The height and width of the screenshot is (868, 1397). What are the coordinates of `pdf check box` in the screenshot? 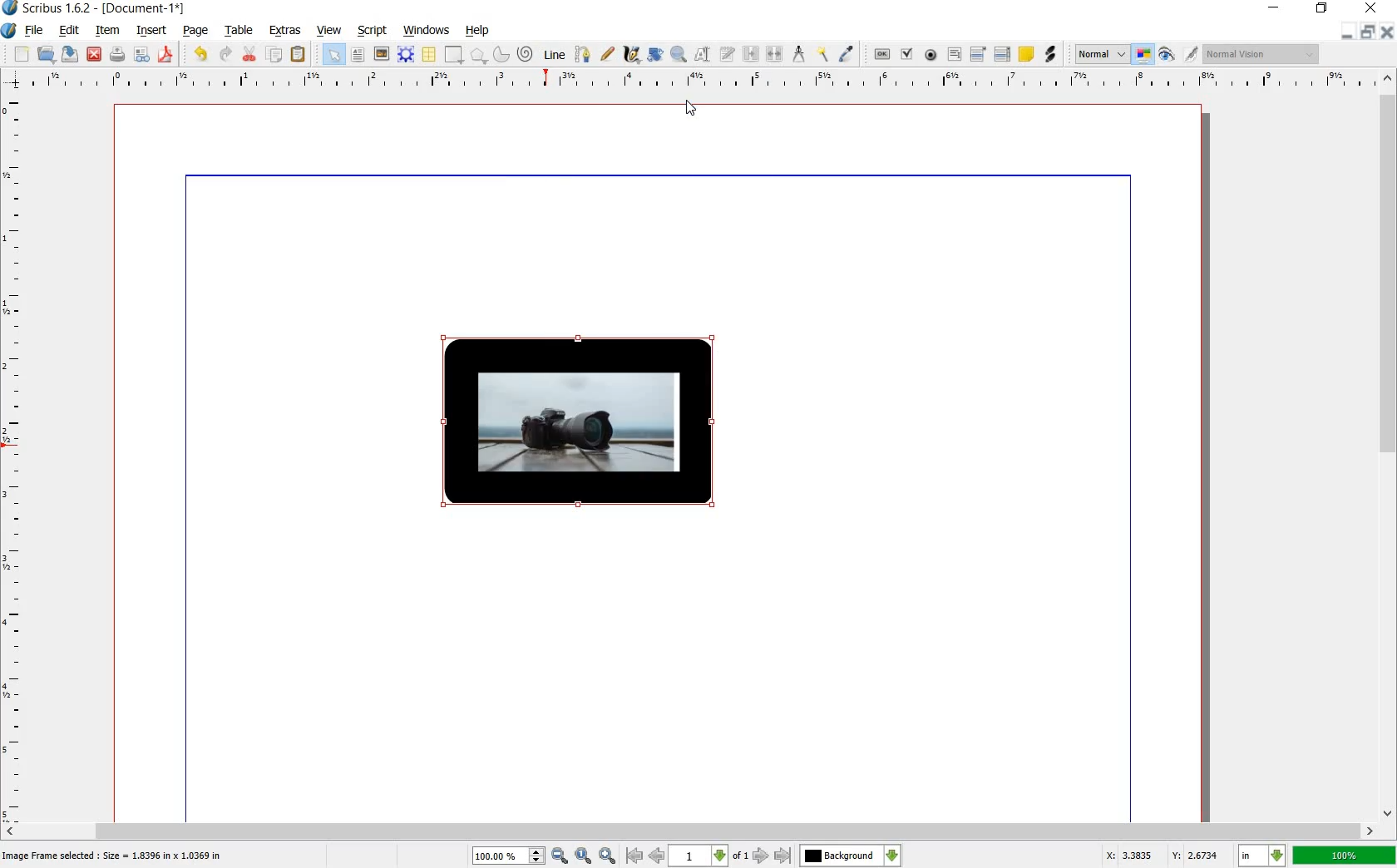 It's located at (907, 55).